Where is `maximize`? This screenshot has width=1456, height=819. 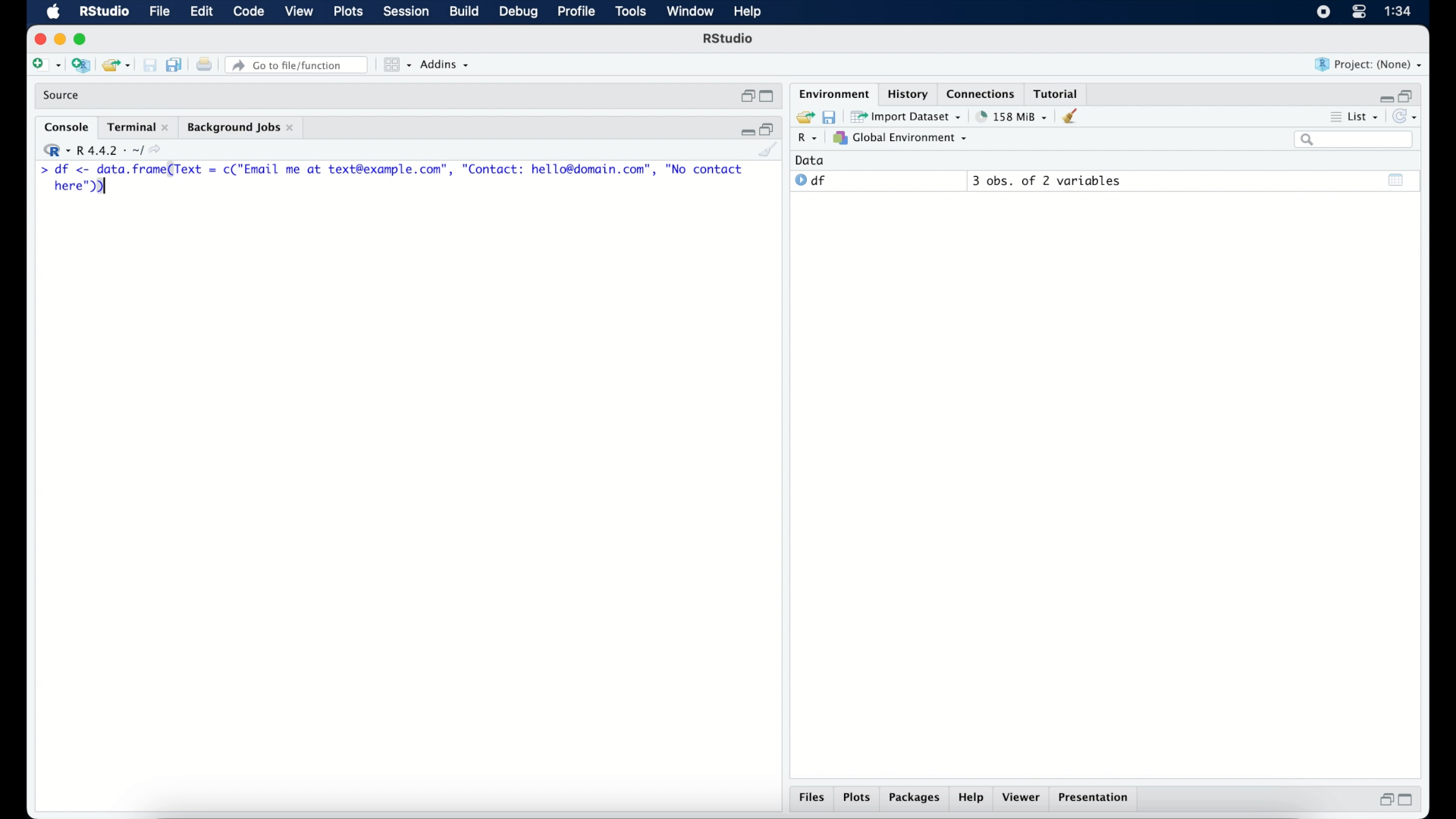 maximize is located at coordinates (82, 39).